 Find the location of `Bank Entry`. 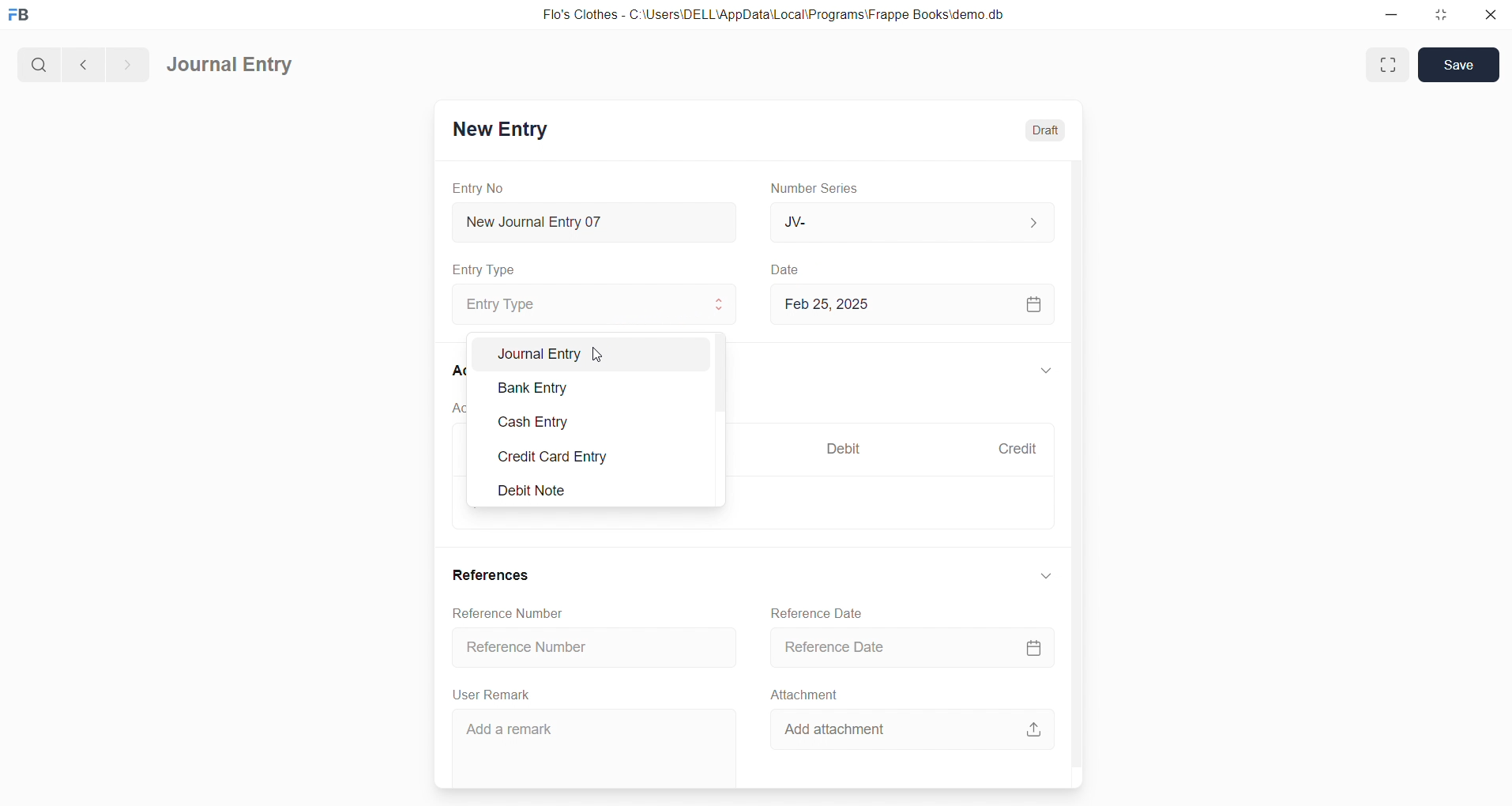

Bank Entry is located at coordinates (599, 386).